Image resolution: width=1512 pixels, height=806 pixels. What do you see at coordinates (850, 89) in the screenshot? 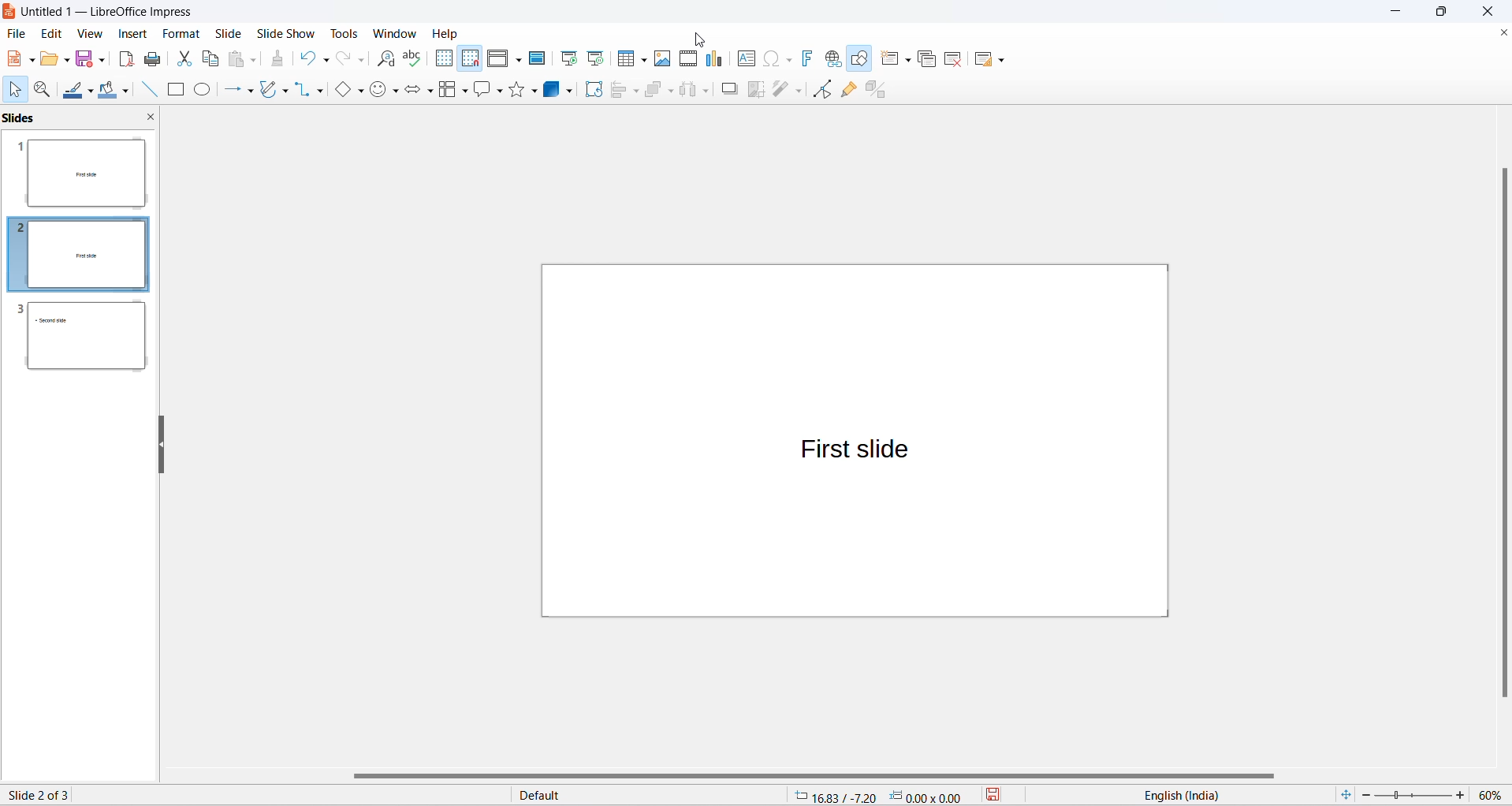
I see `show gluepoint functions` at bounding box center [850, 89].